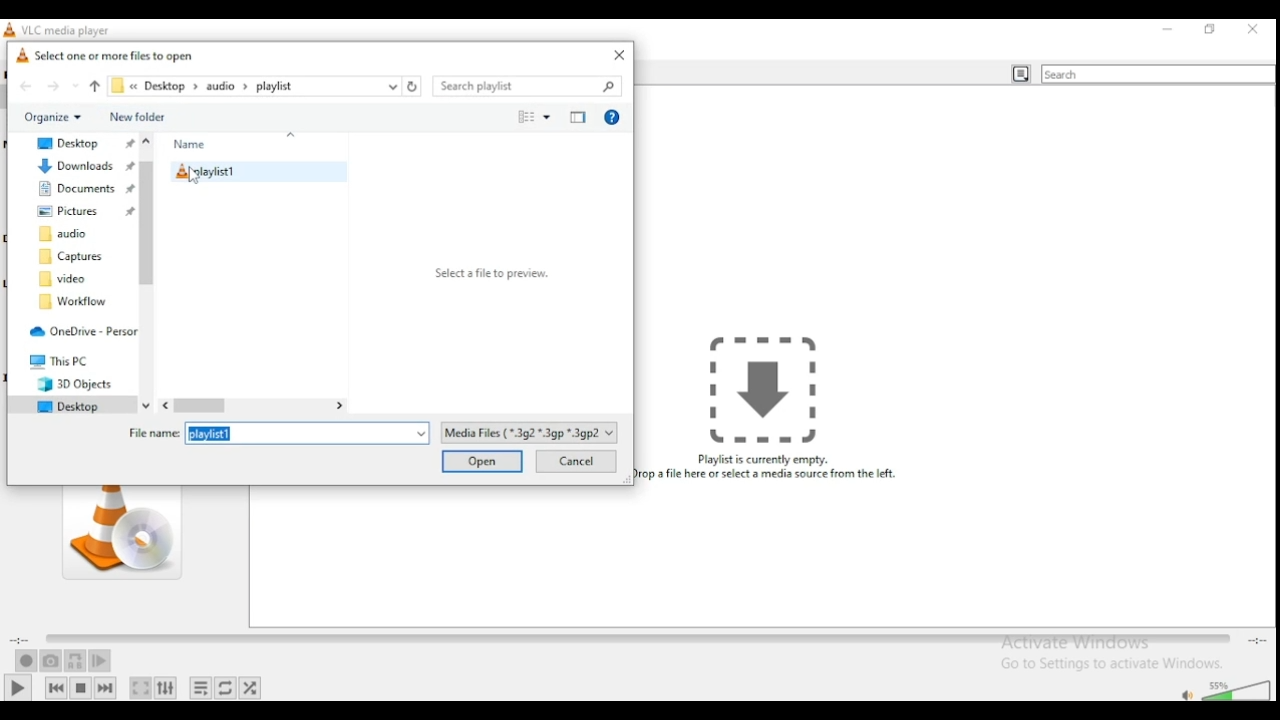 The image size is (1280, 720). What do you see at coordinates (150, 273) in the screenshot?
I see `scroll bar` at bounding box center [150, 273].